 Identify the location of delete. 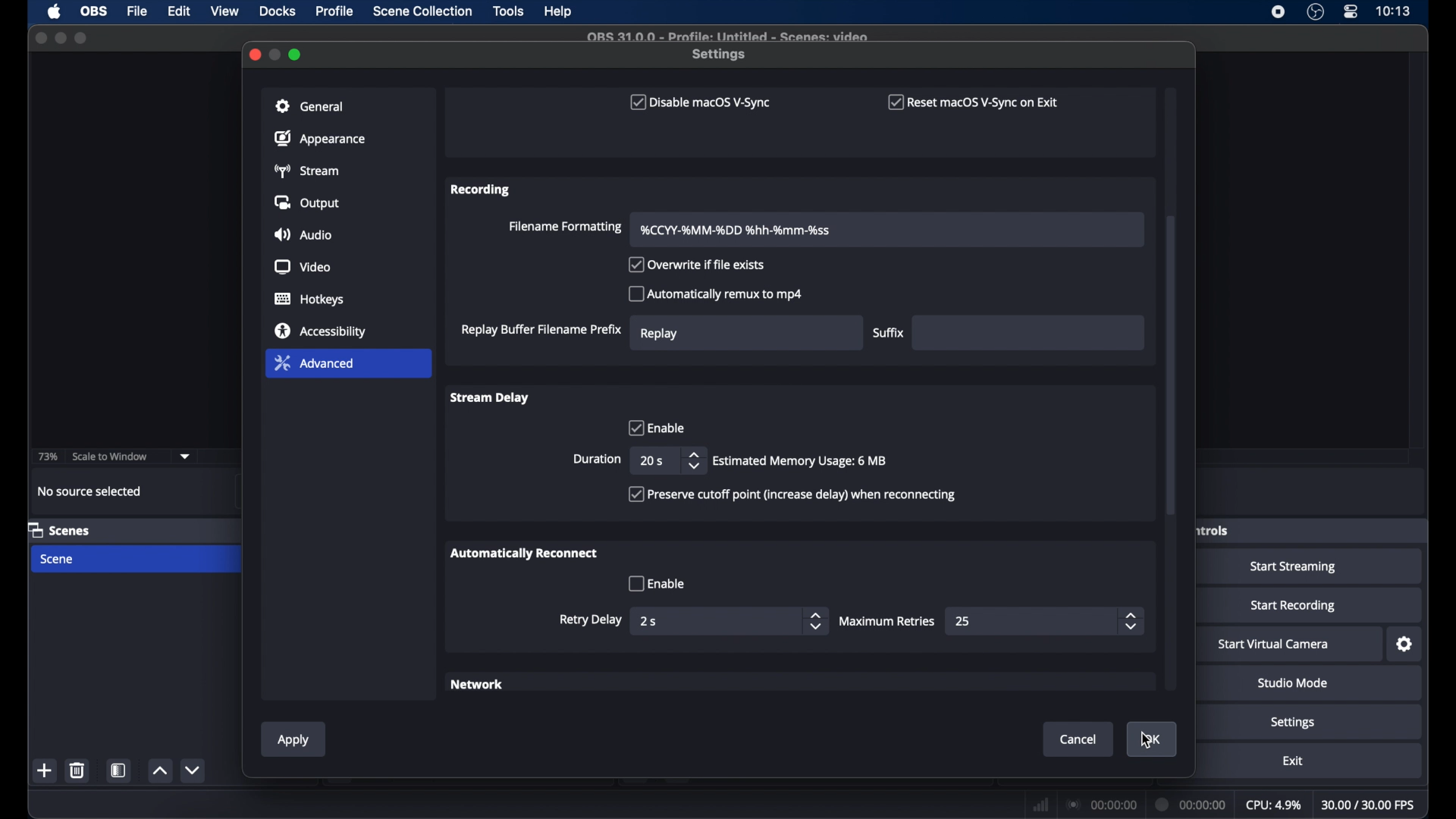
(77, 770).